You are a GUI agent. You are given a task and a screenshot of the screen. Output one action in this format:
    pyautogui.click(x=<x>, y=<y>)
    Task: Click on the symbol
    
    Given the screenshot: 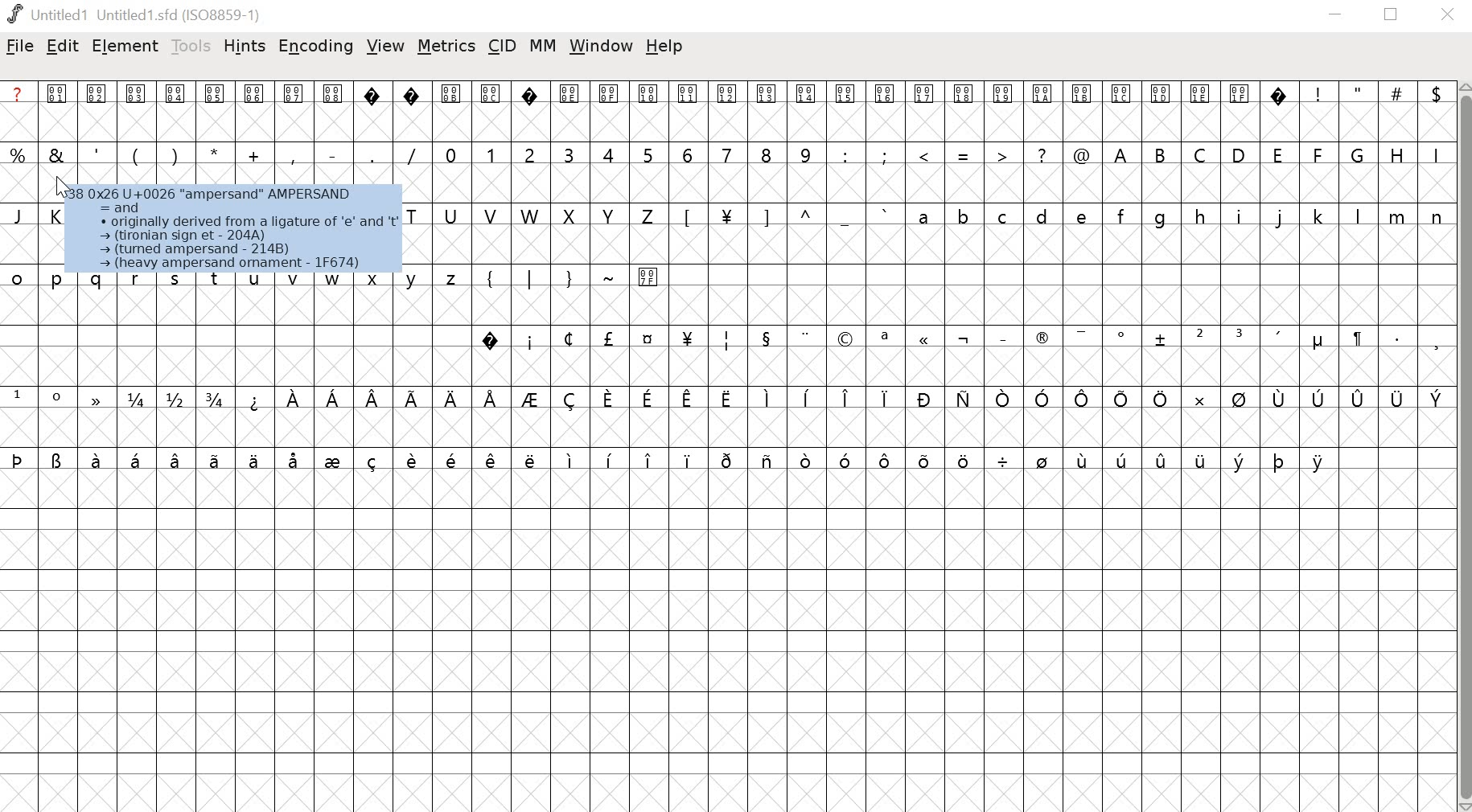 What is the action you would take?
    pyautogui.click(x=647, y=399)
    